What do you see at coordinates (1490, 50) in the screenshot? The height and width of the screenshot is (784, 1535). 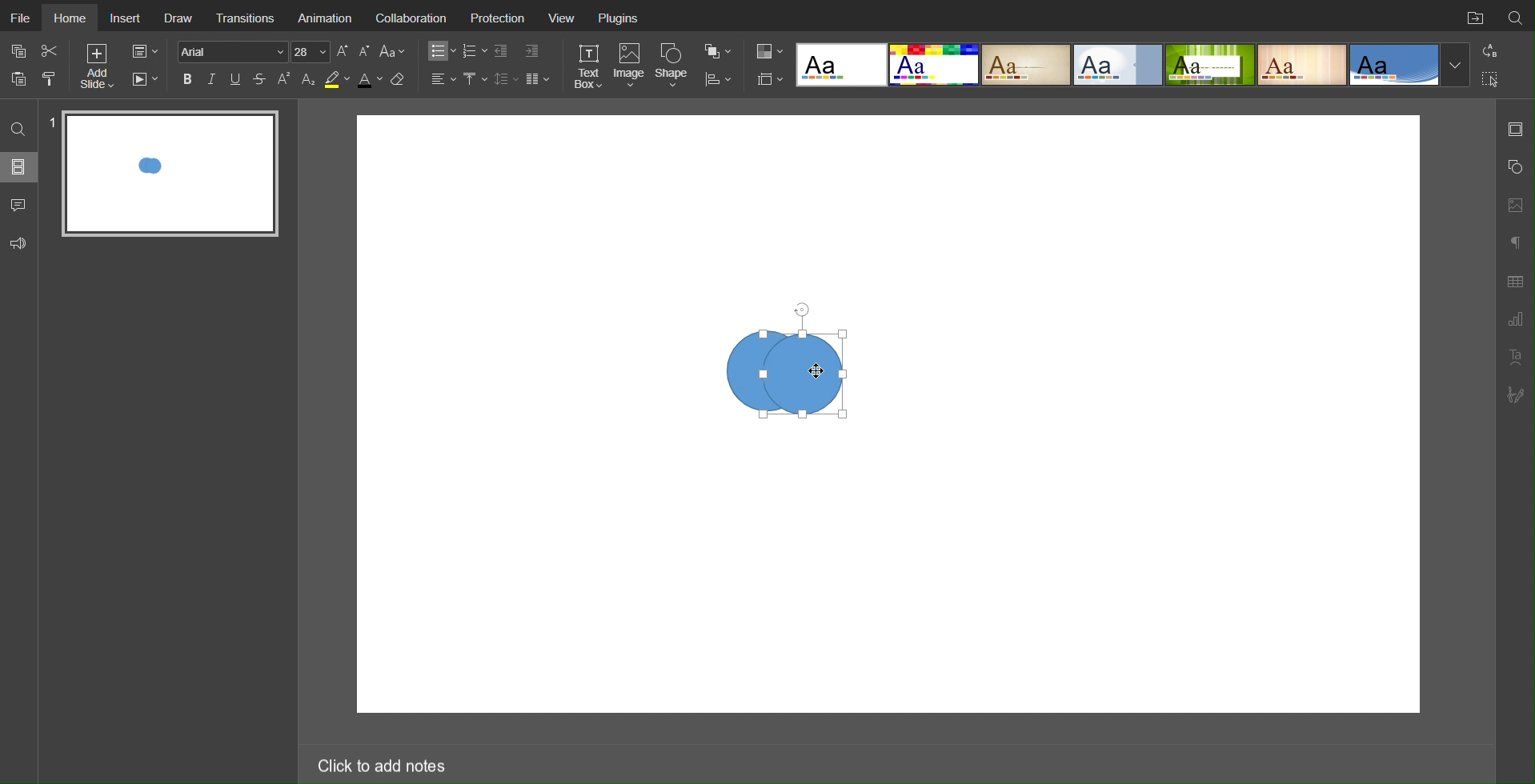 I see `Replace` at bounding box center [1490, 50].